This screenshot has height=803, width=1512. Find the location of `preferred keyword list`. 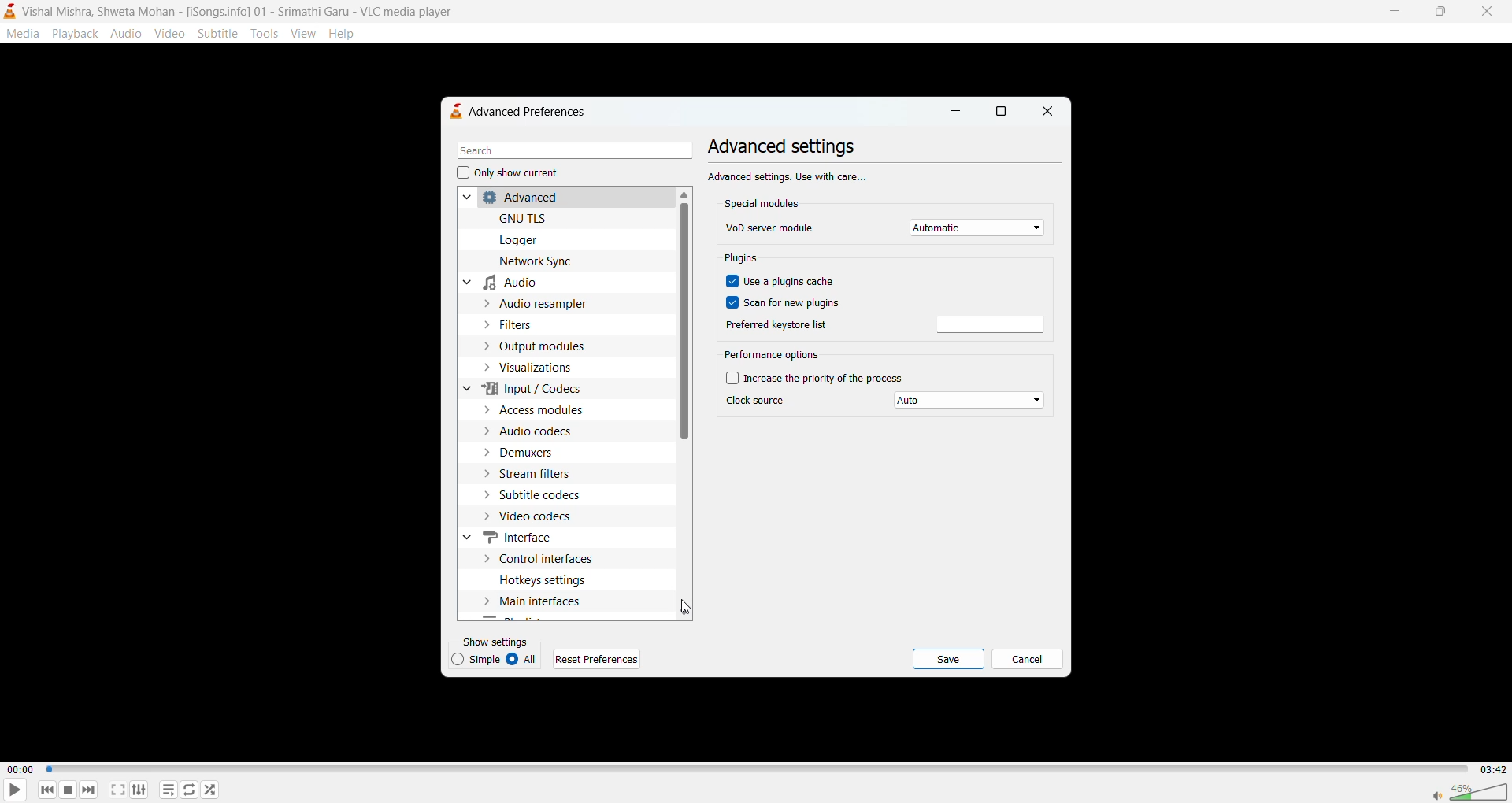

preferred keyword list is located at coordinates (776, 323).